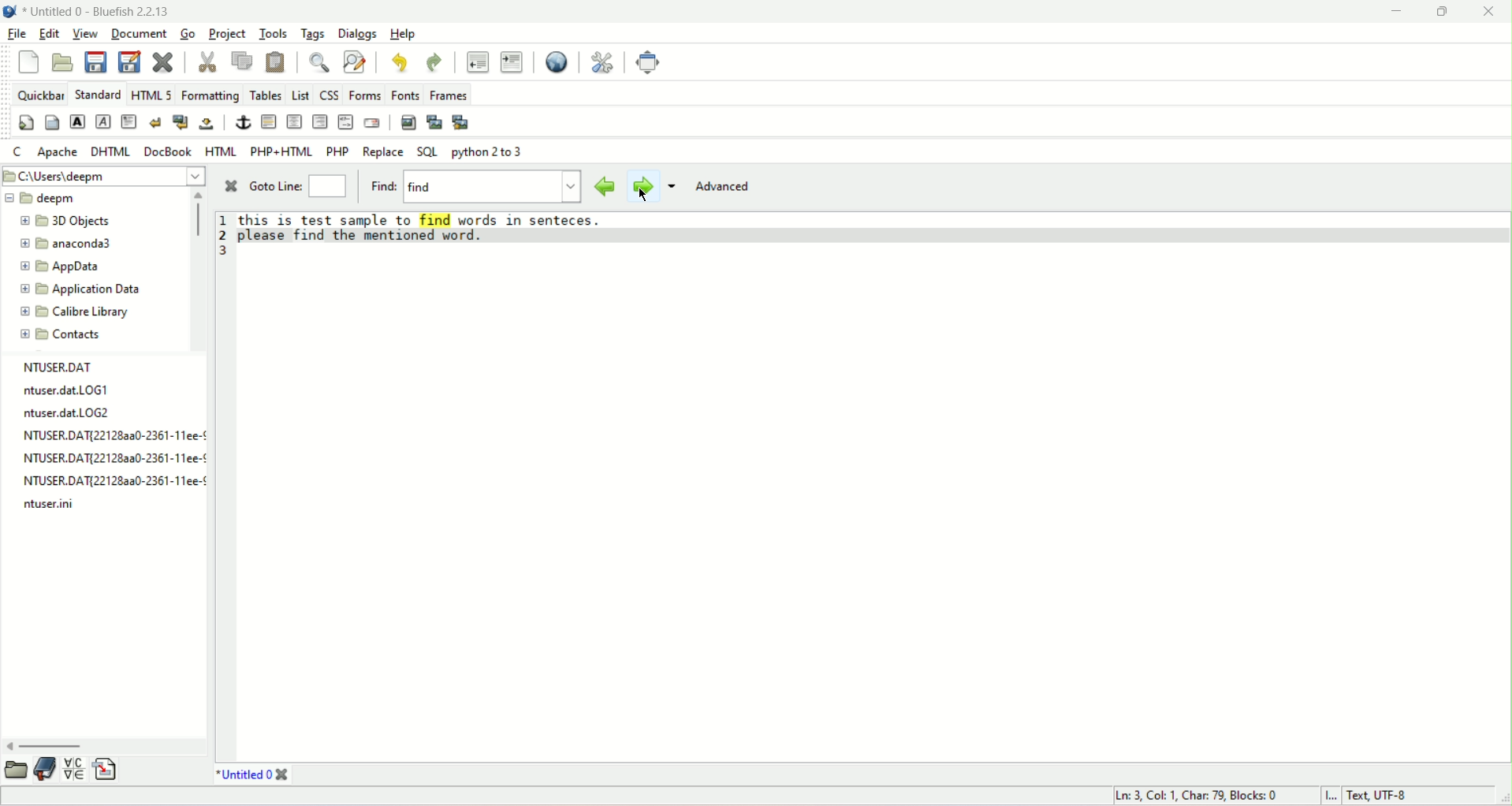  Describe the element at coordinates (382, 184) in the screenshot. I see `find` at that location.